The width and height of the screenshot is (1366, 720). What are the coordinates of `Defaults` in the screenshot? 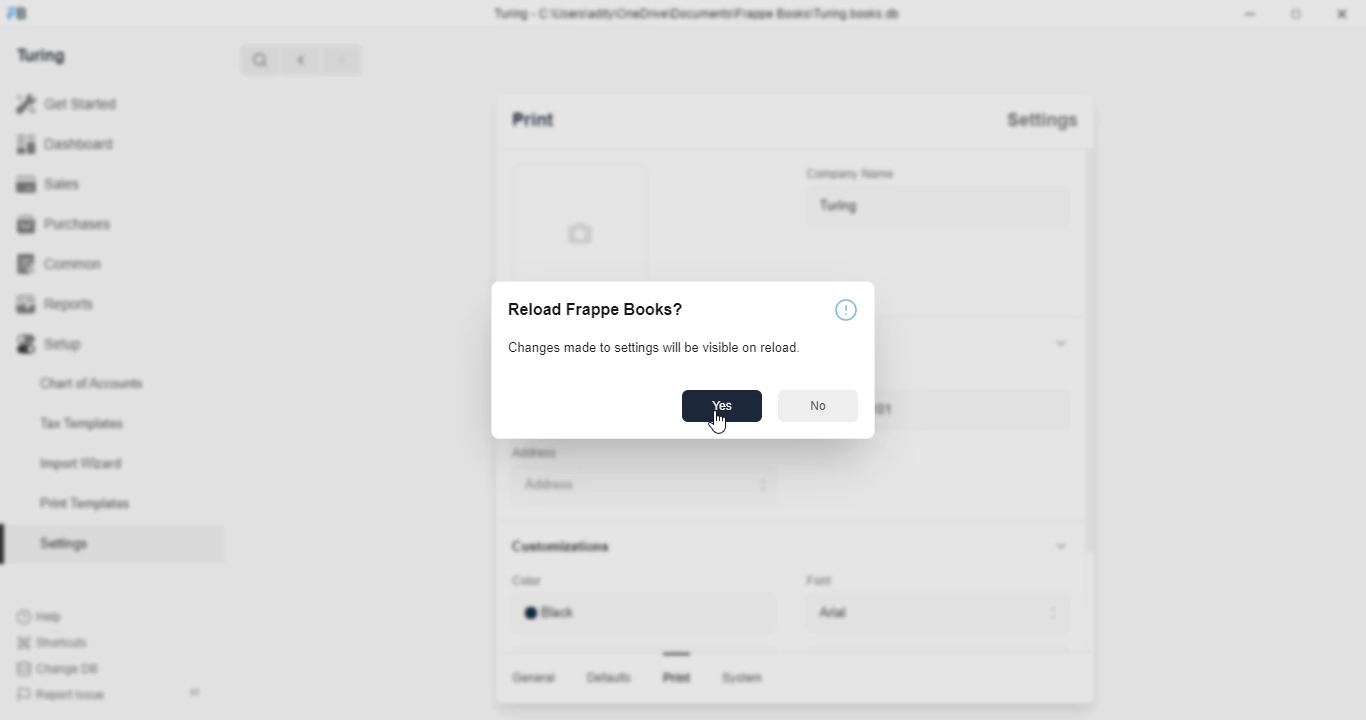 It's located at (606, 678).